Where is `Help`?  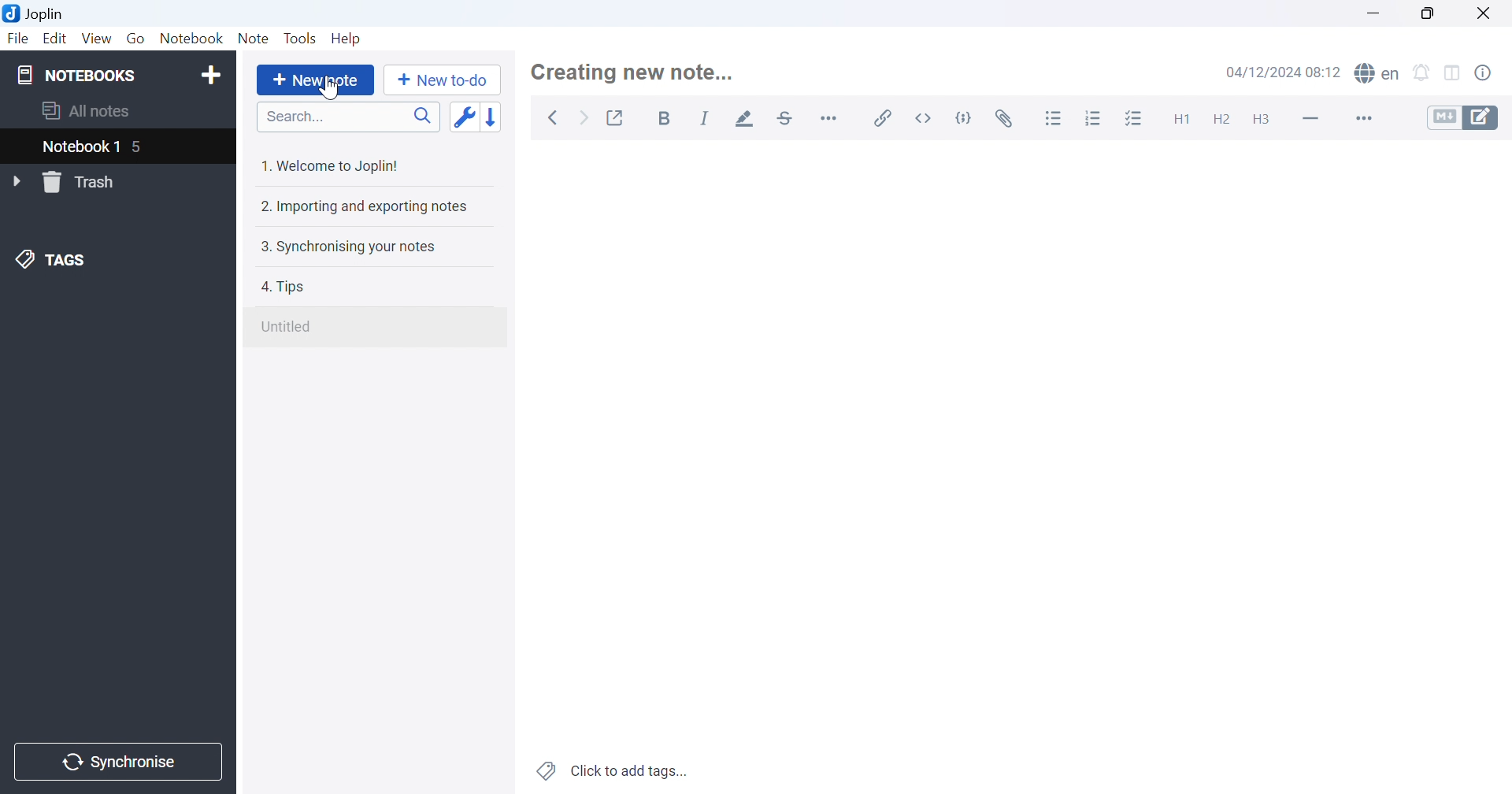
Help is located at coordinates (351, 39).